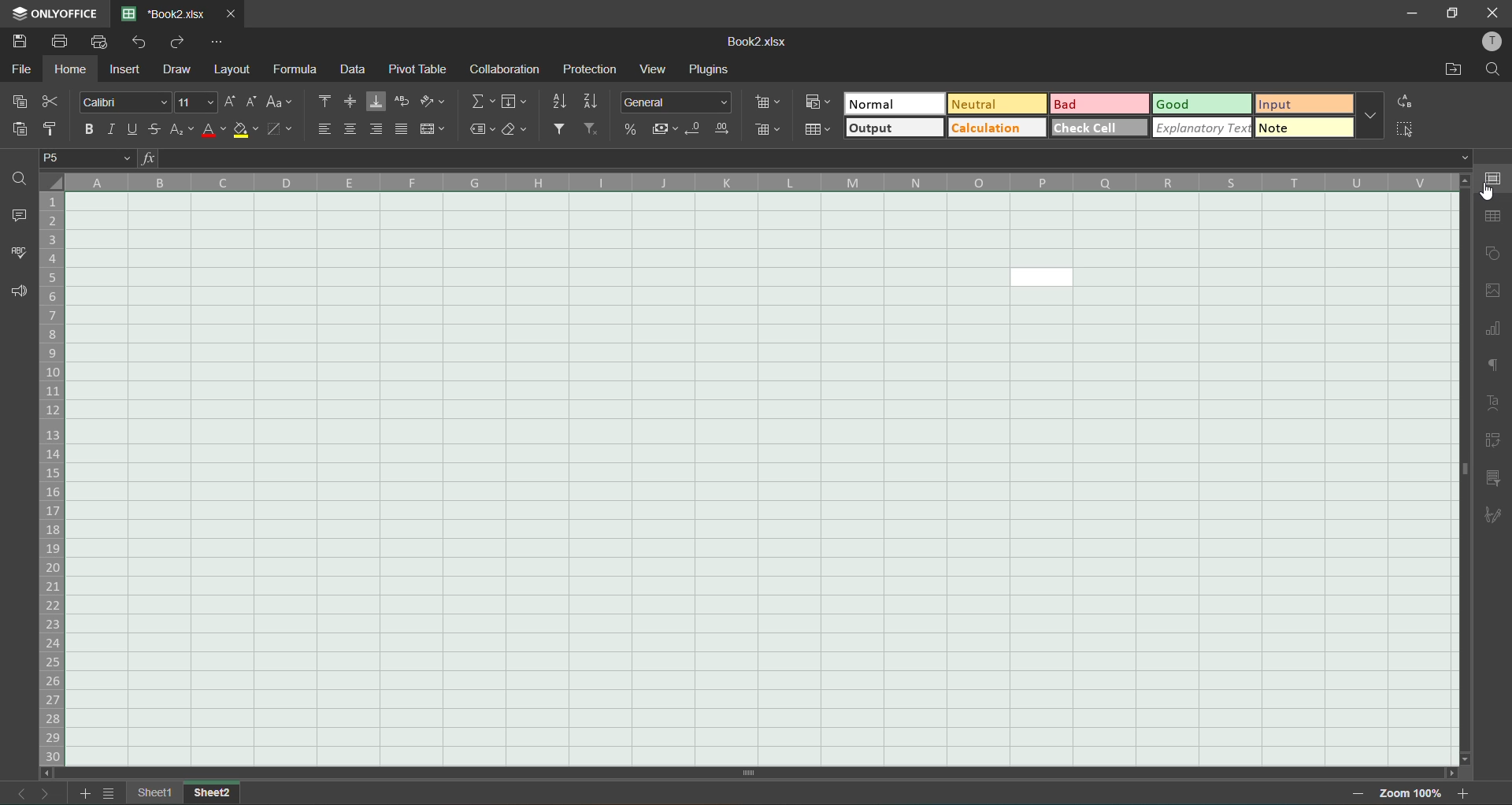  Describe the element at coordinates (629, 129) in the screenshot. I see `percent` at that location.